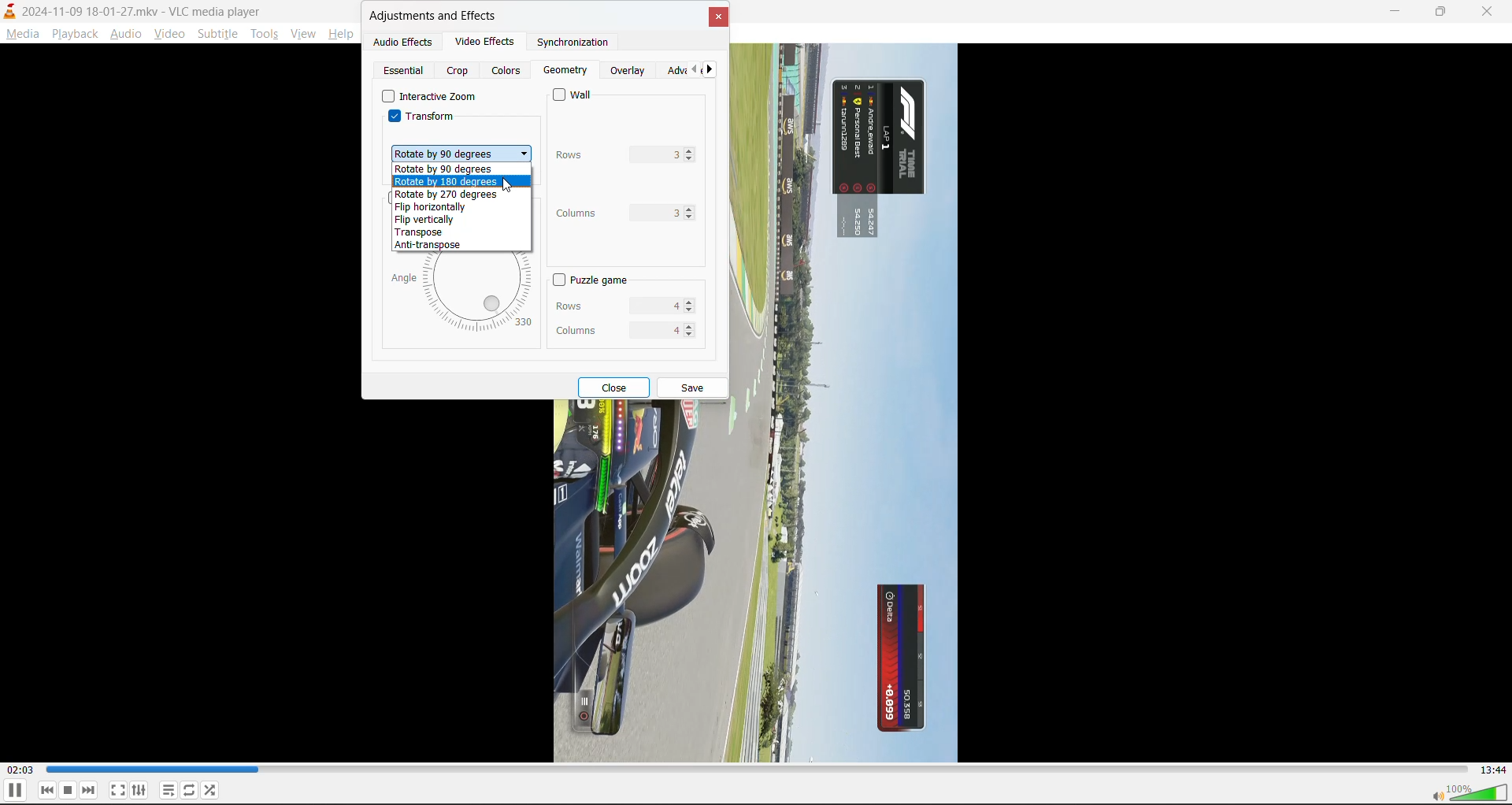  What do you see at coordinates (691, 217) in the screenshot?
I see `decrease` at bounding box center [691, 217].